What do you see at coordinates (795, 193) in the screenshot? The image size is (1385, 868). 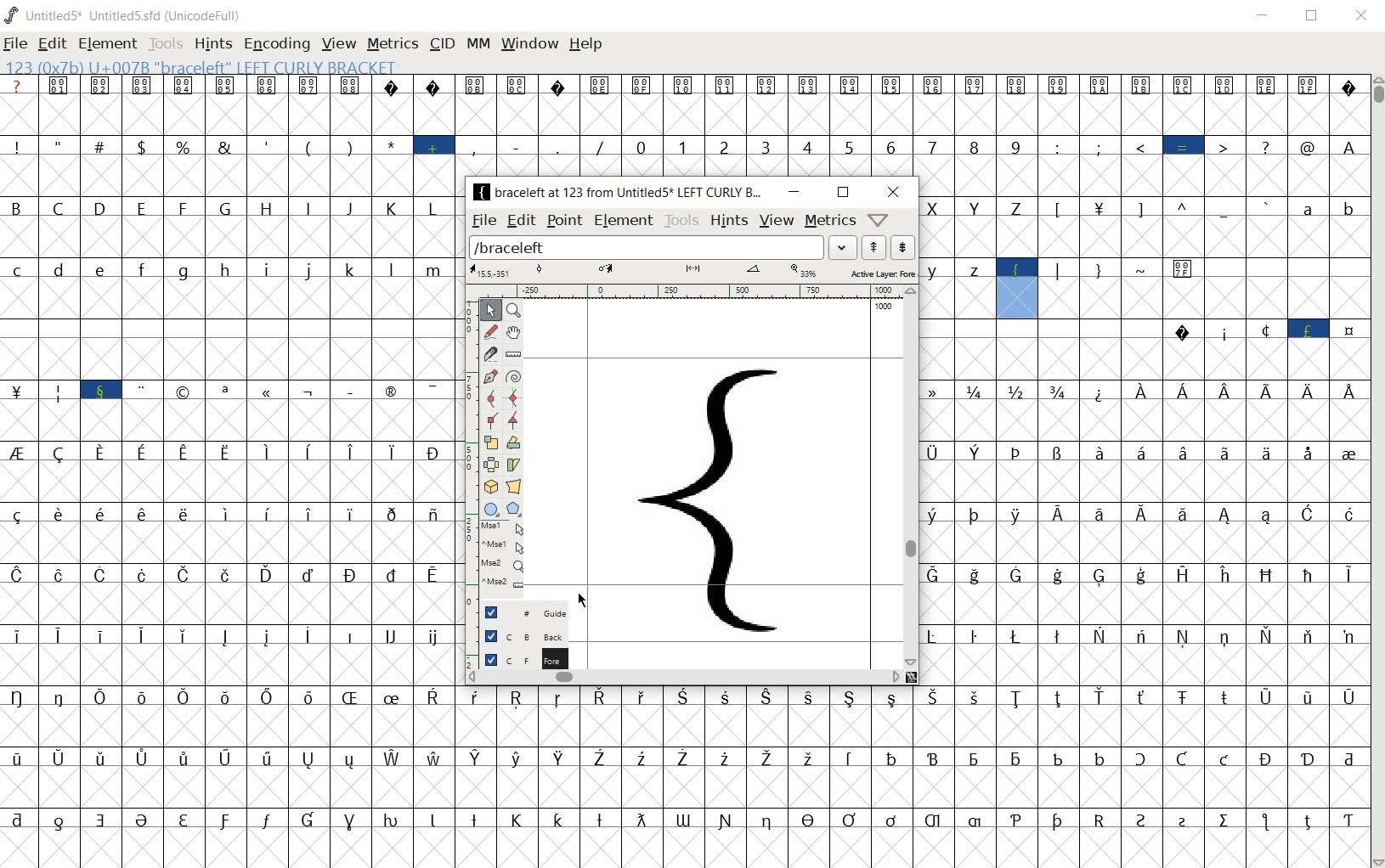 I see `minimize` at bounding box center [795, 193].